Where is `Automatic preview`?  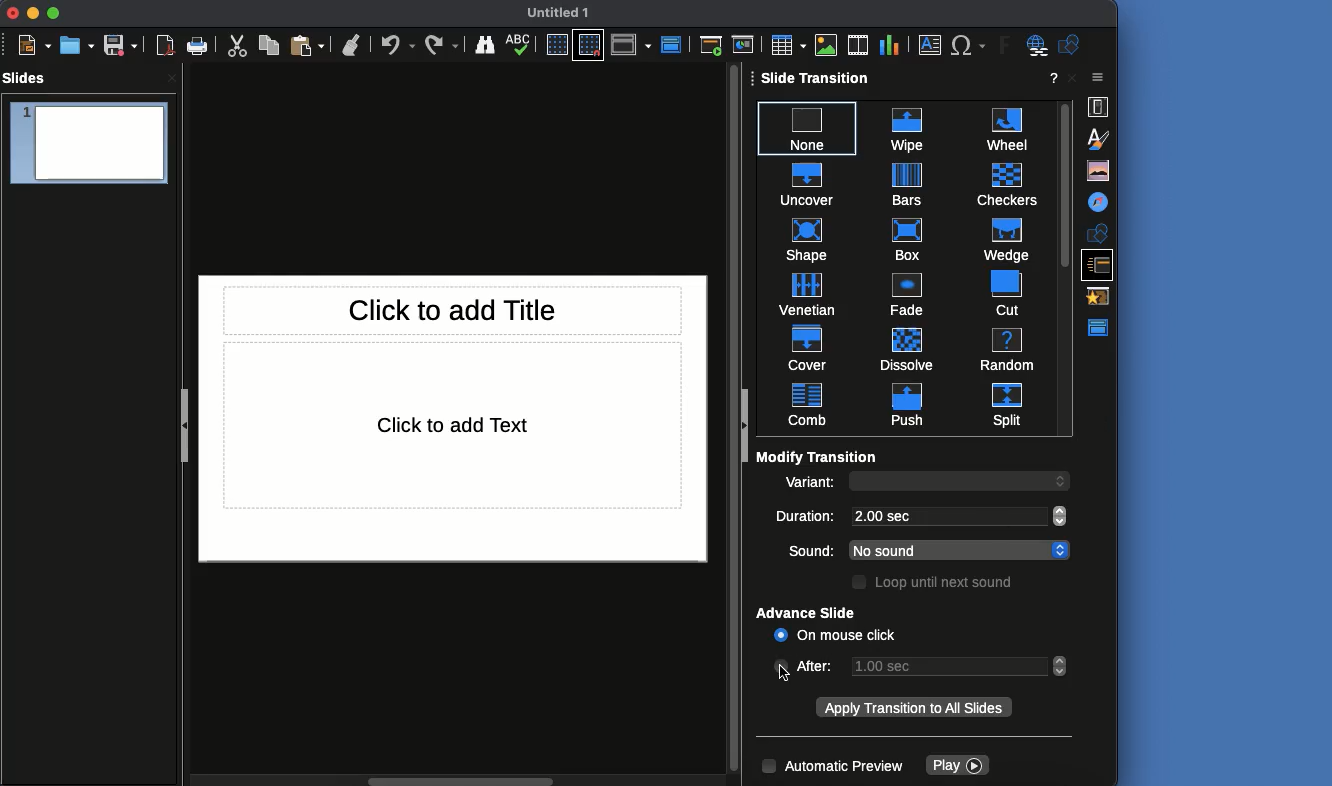
Automatic preview is located at coordinates (834, 767).